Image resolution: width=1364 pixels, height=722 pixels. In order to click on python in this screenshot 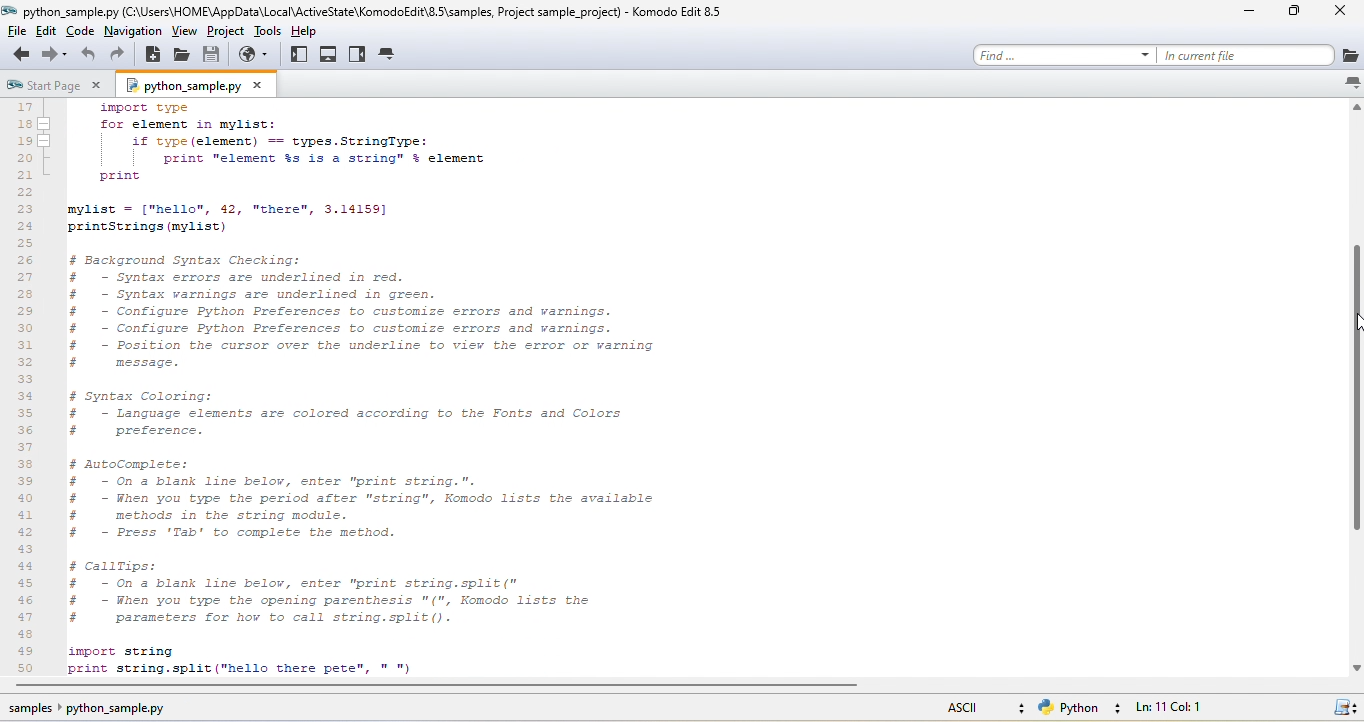, I will do `click(1083, 708)`.